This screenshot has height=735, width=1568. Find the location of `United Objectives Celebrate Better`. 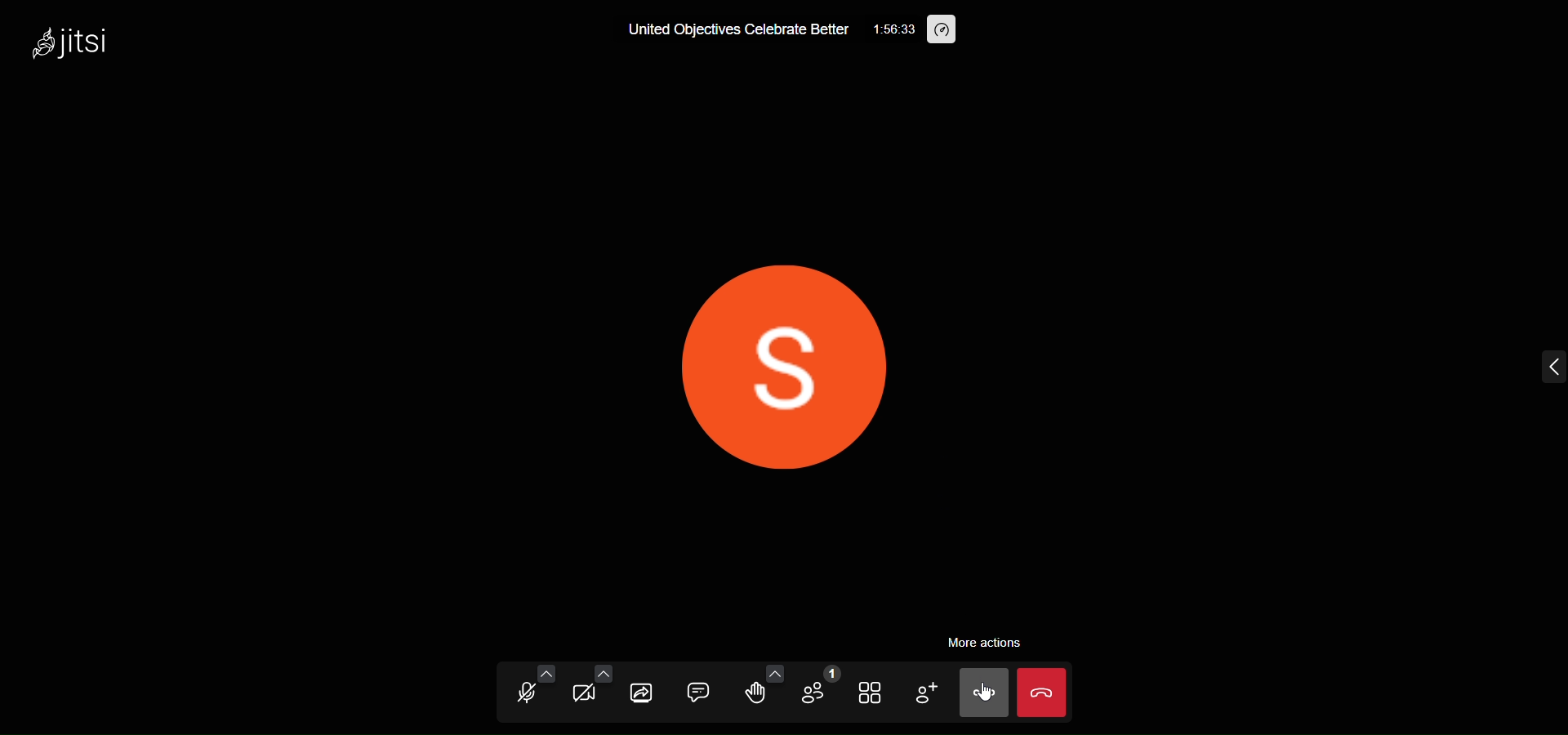

United Objectives Celebrate Better is located at coordinates (721, 33).